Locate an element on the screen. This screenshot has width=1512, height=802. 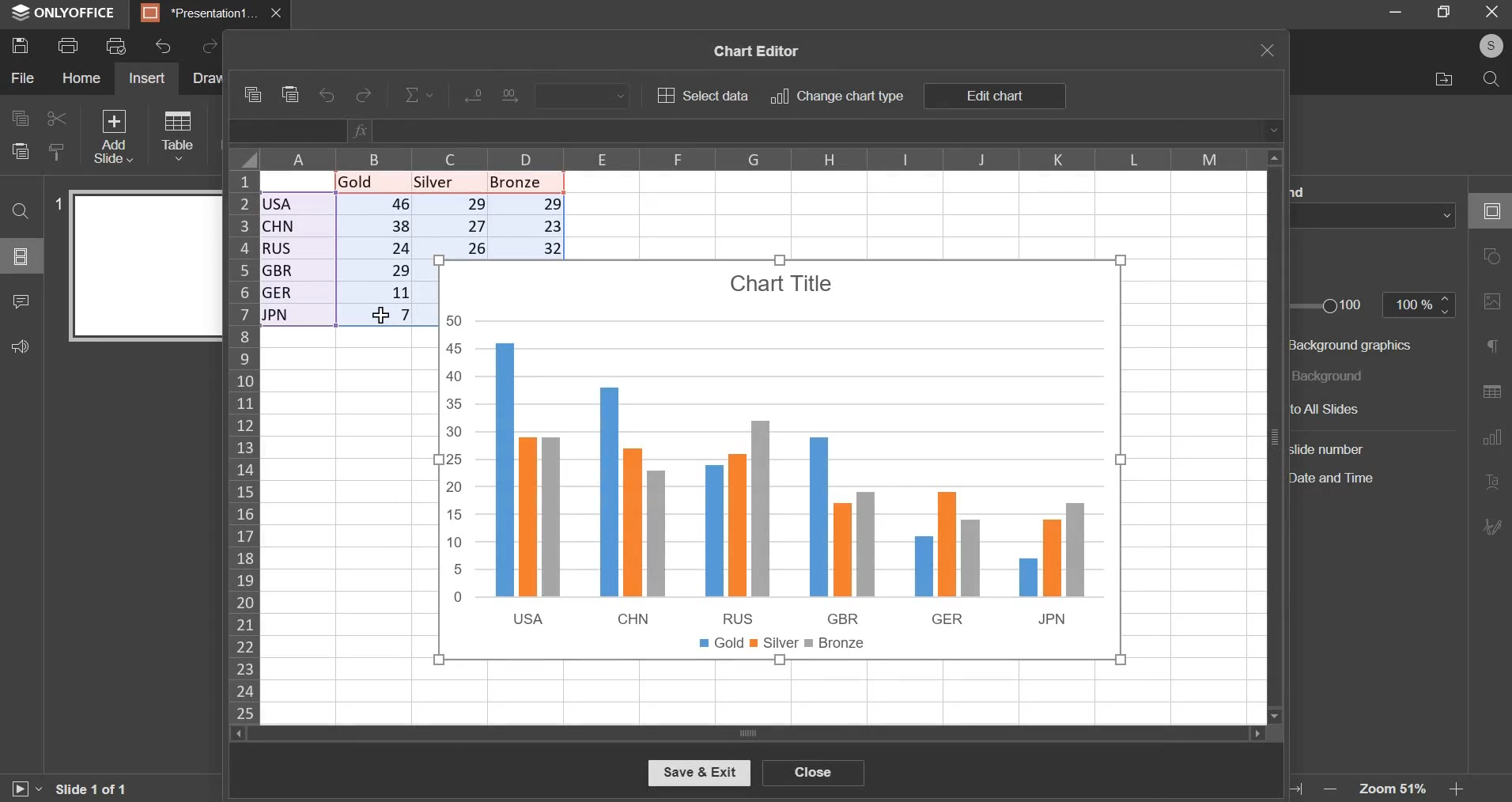
equation is located at coordinates (420, 95).